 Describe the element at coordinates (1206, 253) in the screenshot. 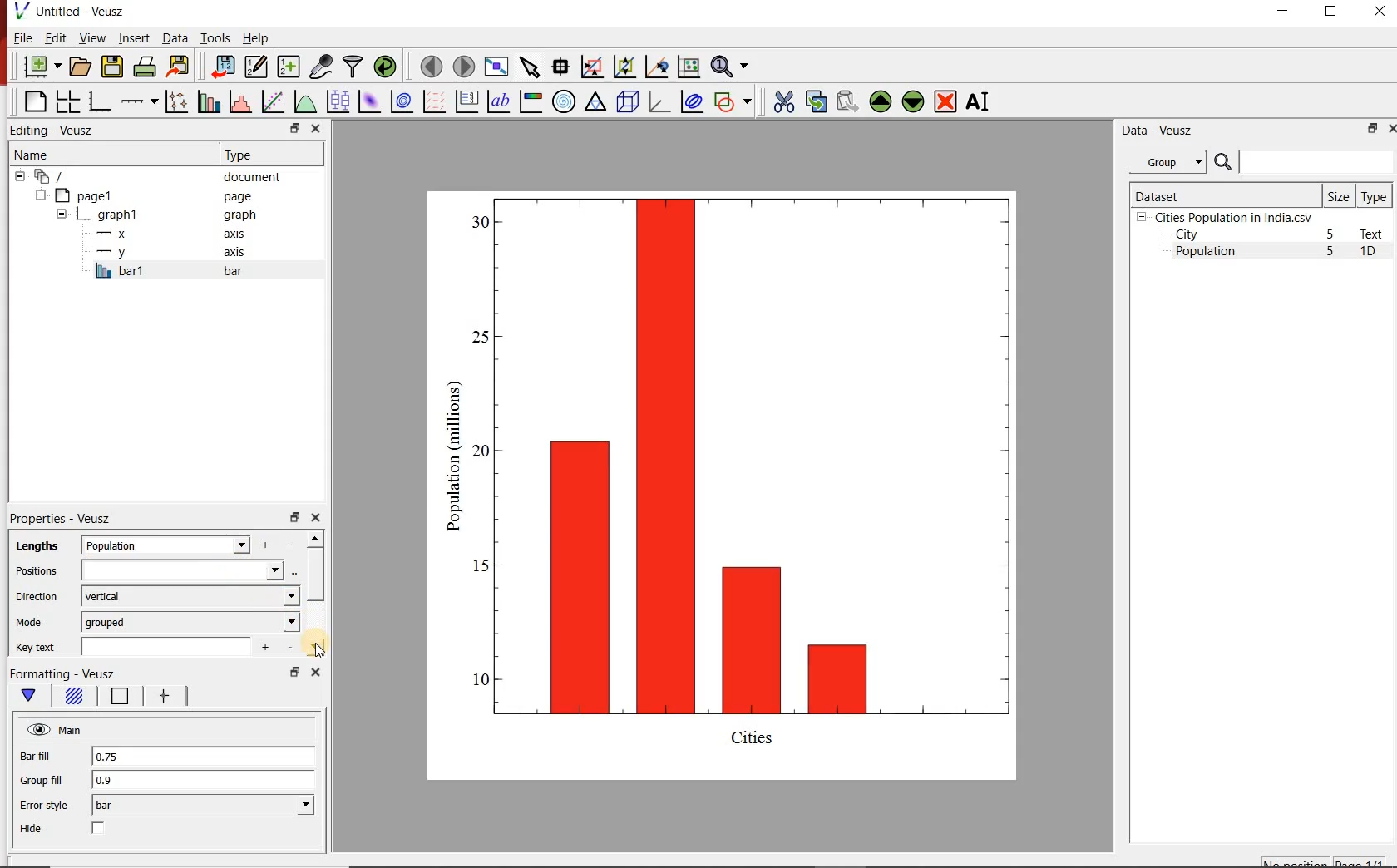

I see `Population` at that location.